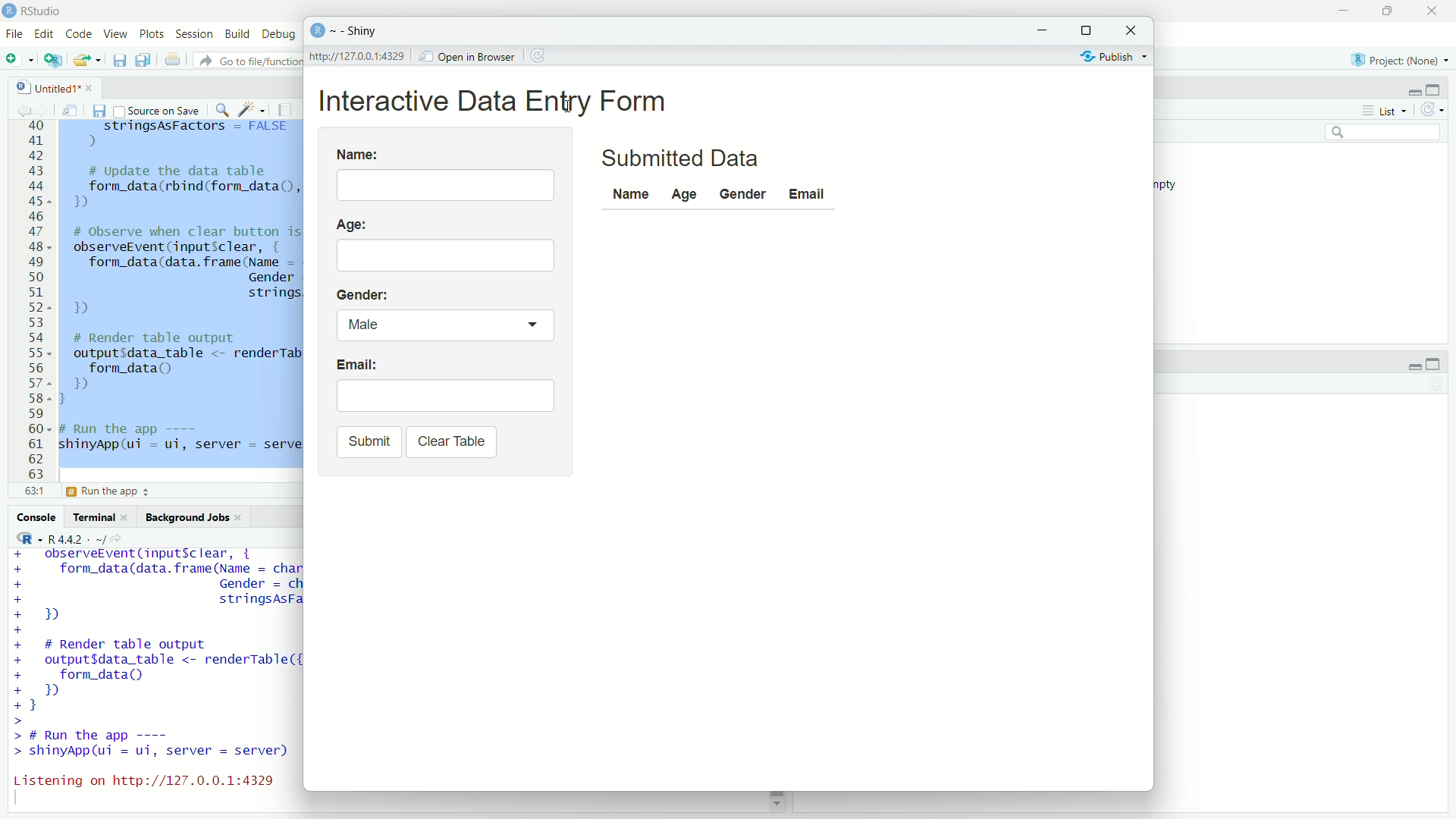 The image size is (1456, 819). What do you see at coordinates (186, 516) in the screenshot?
I see `background jobs` at bounding box center [186, 516].